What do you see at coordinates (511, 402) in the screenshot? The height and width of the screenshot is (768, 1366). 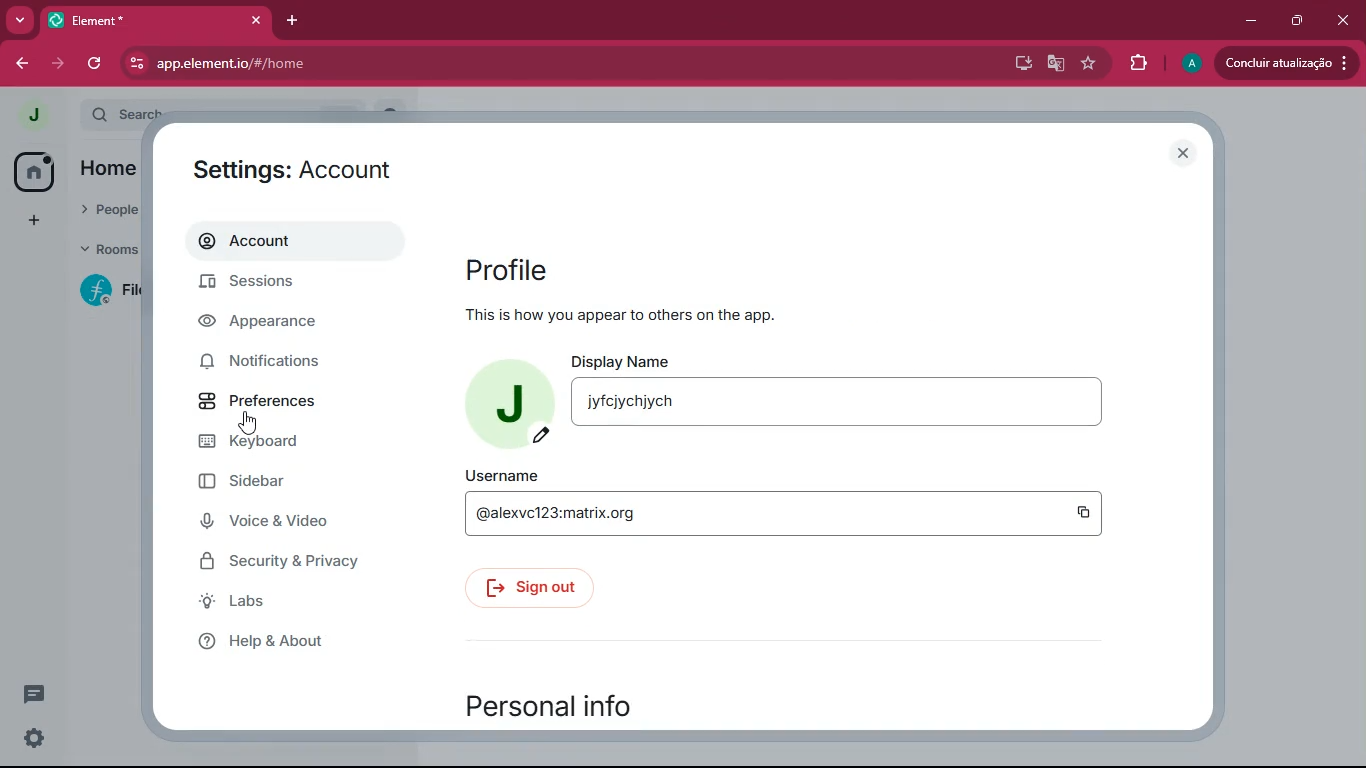 I see `profile picture` at bounding box center [511, 402].